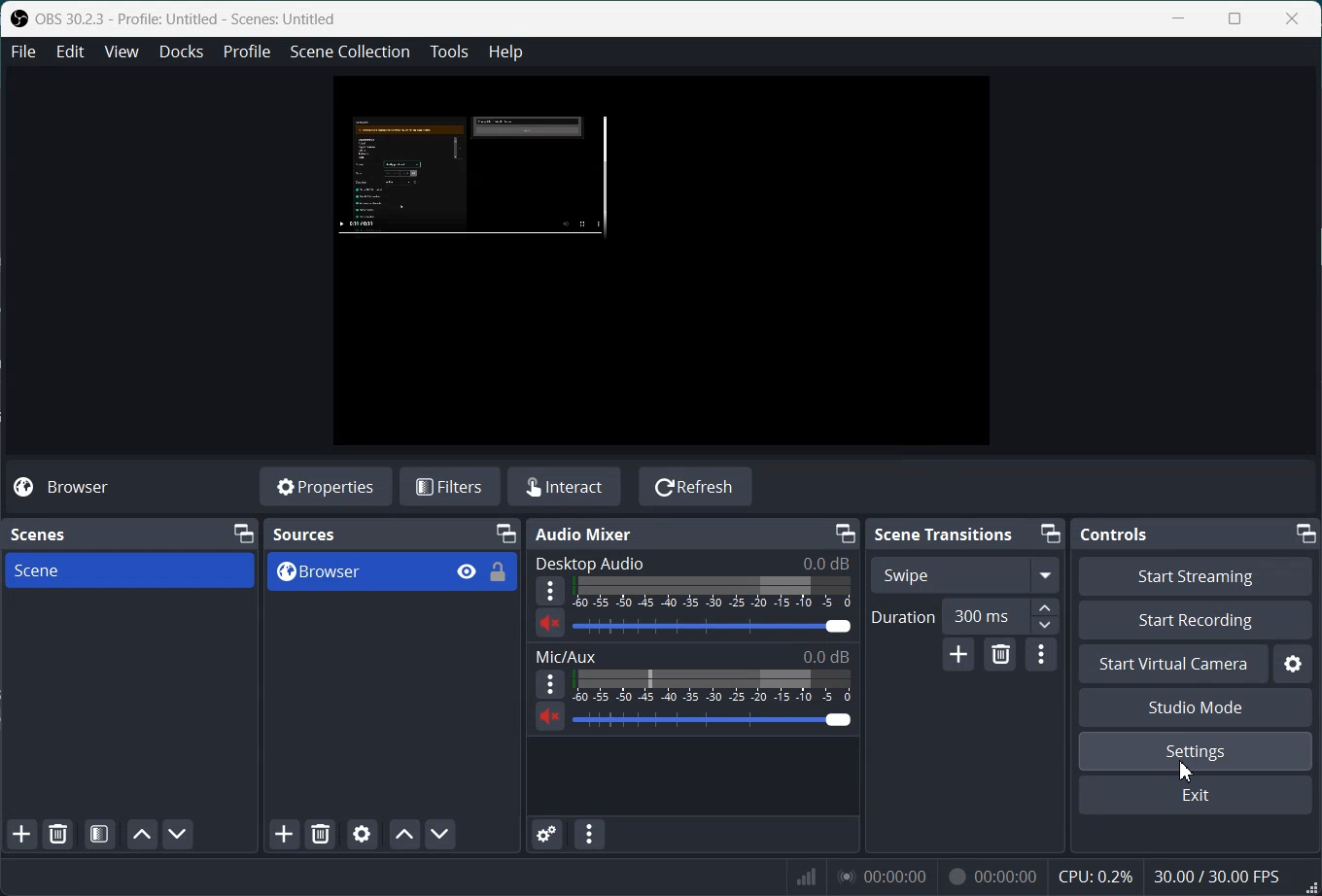 The width and height of the screenshot is (1322, 896). I want to click on Minimize, so click(1179, 17).